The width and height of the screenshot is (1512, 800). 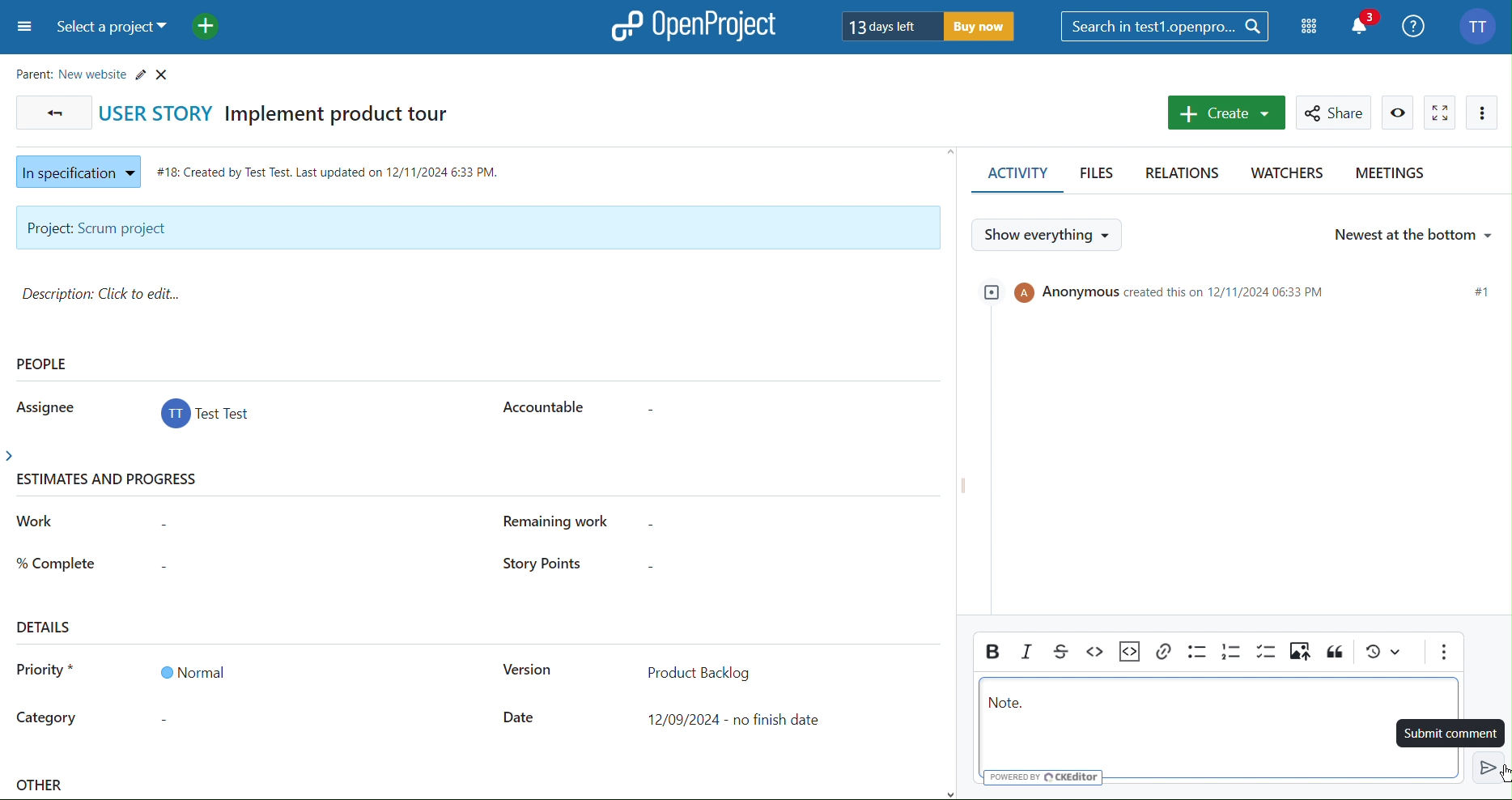 I want to click on Work, so click(x=36, y=521).